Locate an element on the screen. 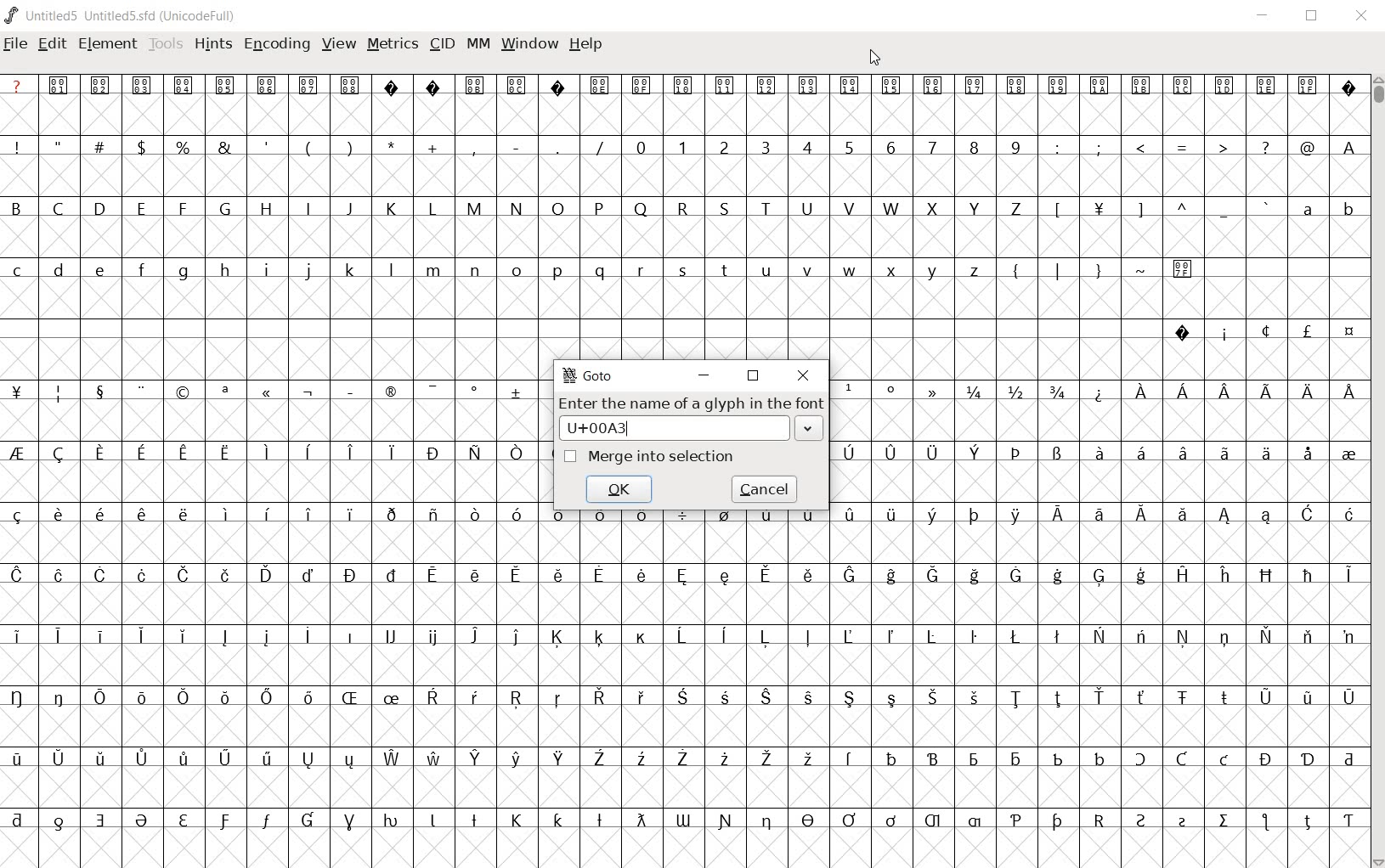 The height and width of the screenshot is (868, 1385). Symbol is located at coordinates (1225, 454).